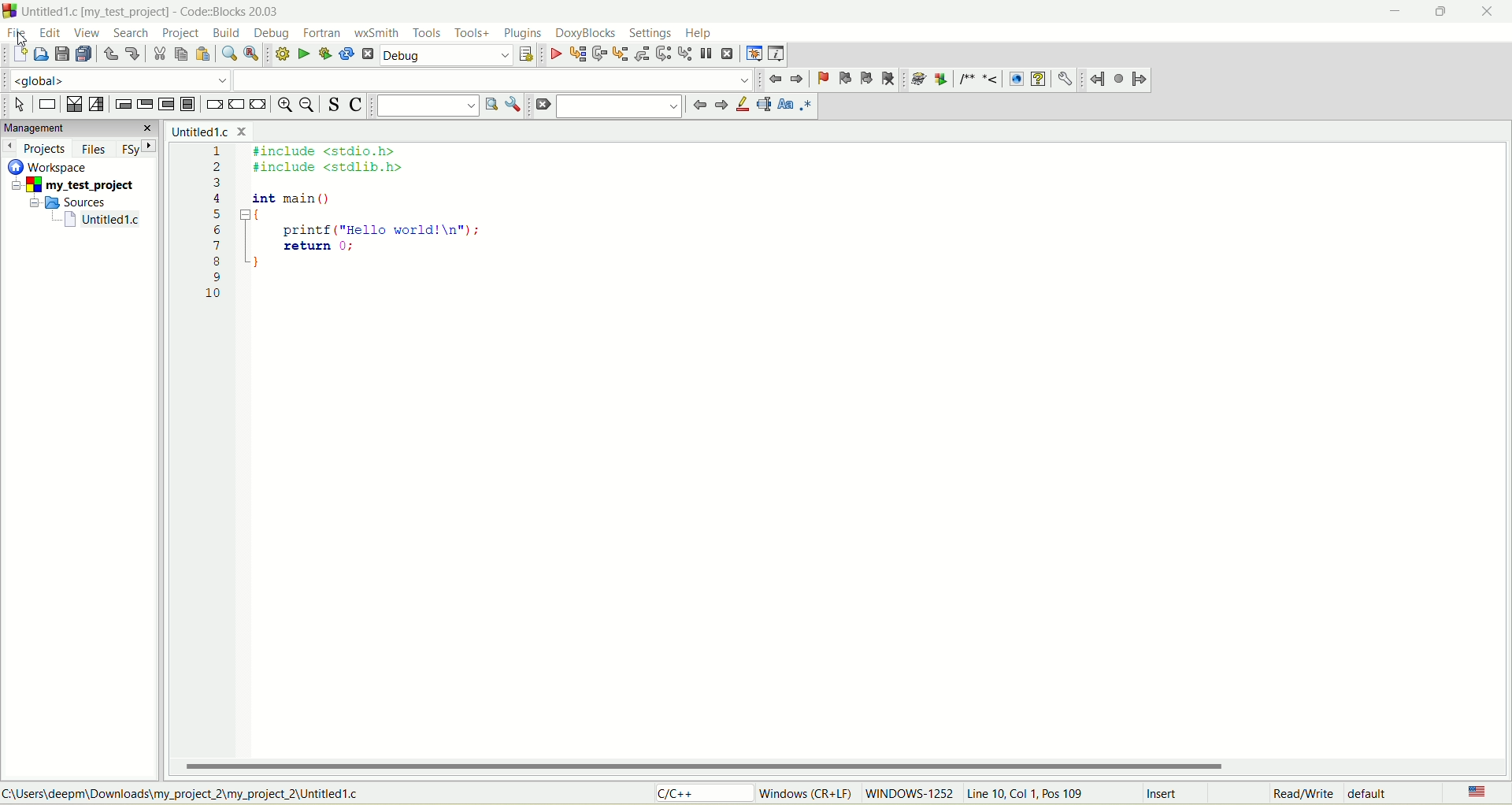 The height and width of the screenshot is (805, 1512). What do you see at coordinates (799, 79) in the screenshot?
I see `jump forward` at bounding box center [799, 79].